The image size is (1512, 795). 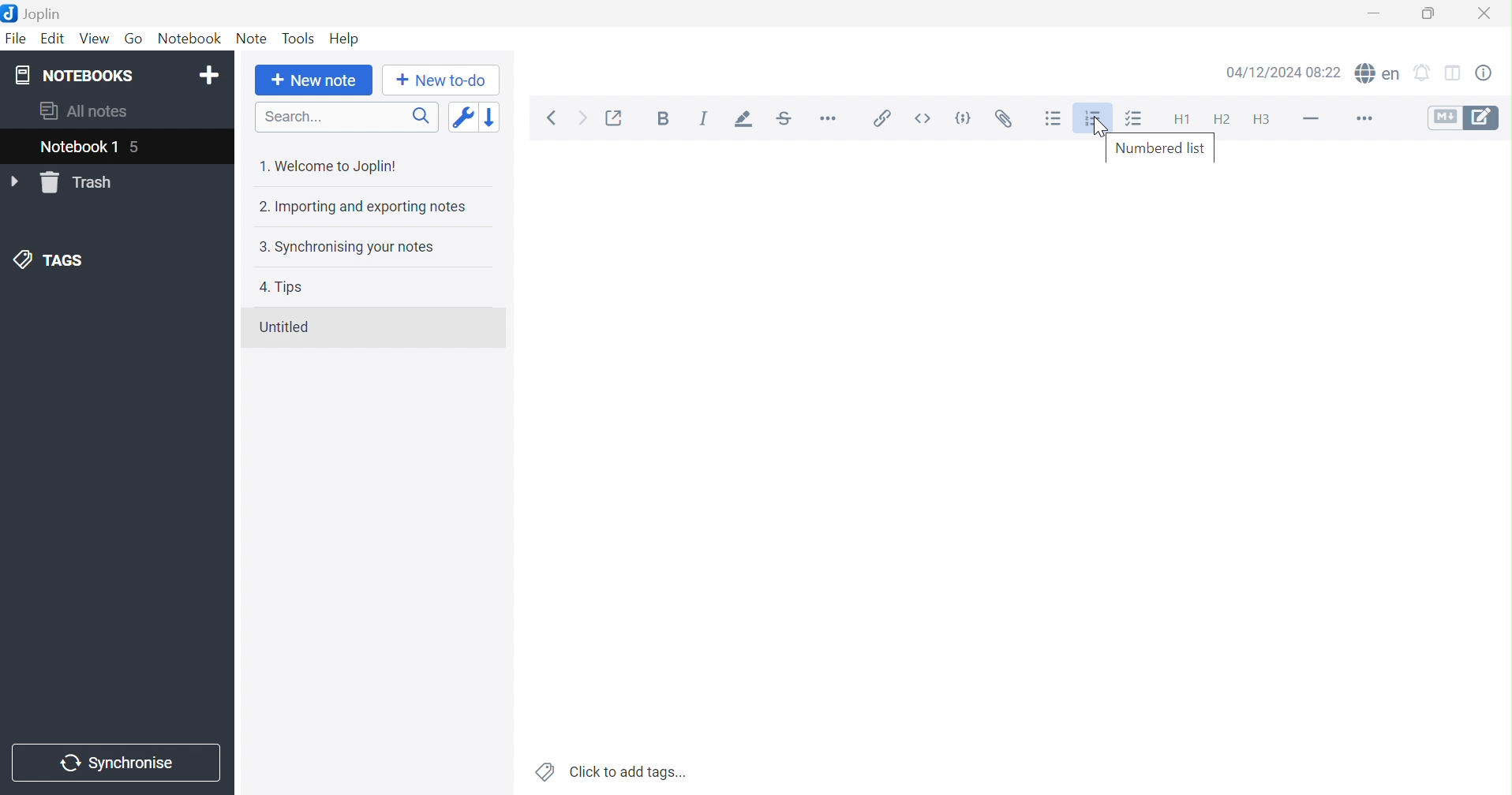 What do you see at coordinates (1491, 72) in the screenshot?
I see `Note properties` at bounding box center [1491, 72].